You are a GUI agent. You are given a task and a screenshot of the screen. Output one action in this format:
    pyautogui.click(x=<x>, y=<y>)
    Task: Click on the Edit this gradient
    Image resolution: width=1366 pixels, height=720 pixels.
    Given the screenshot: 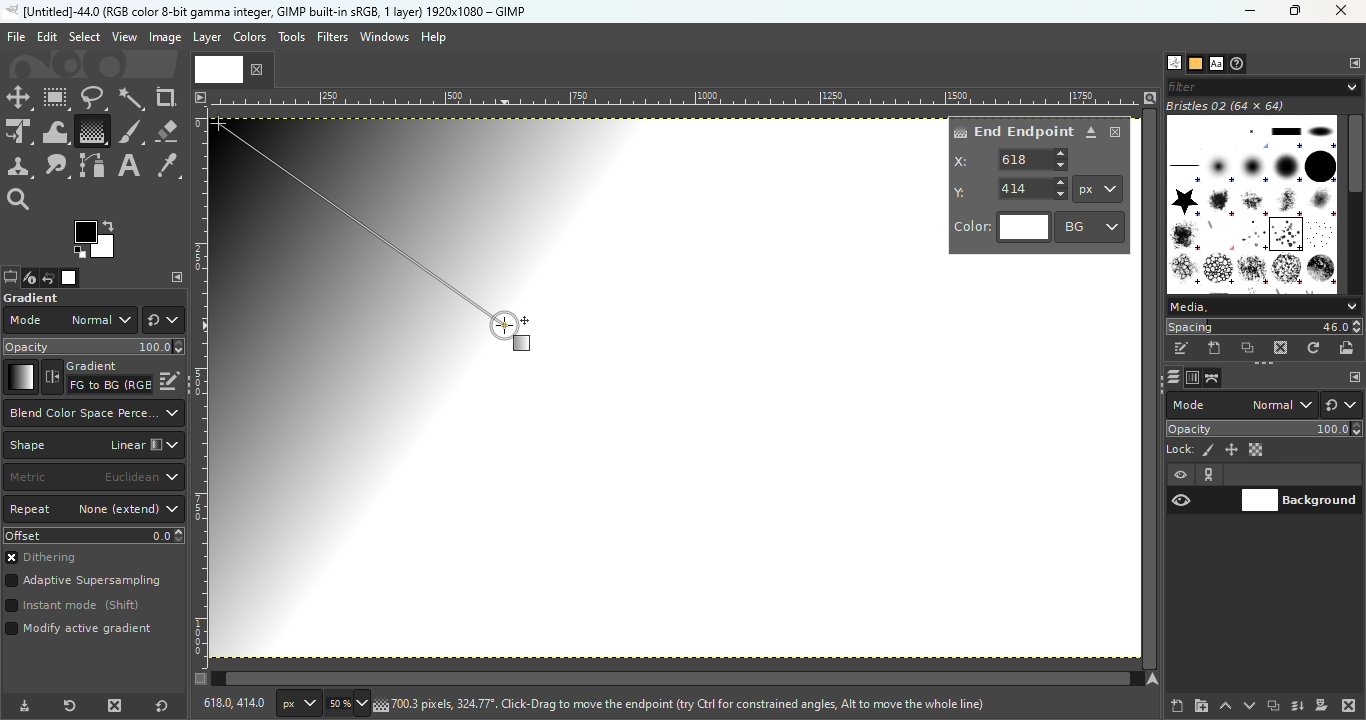 What is the action you would take?
    pyautogui.click(x=170, y=379)
    